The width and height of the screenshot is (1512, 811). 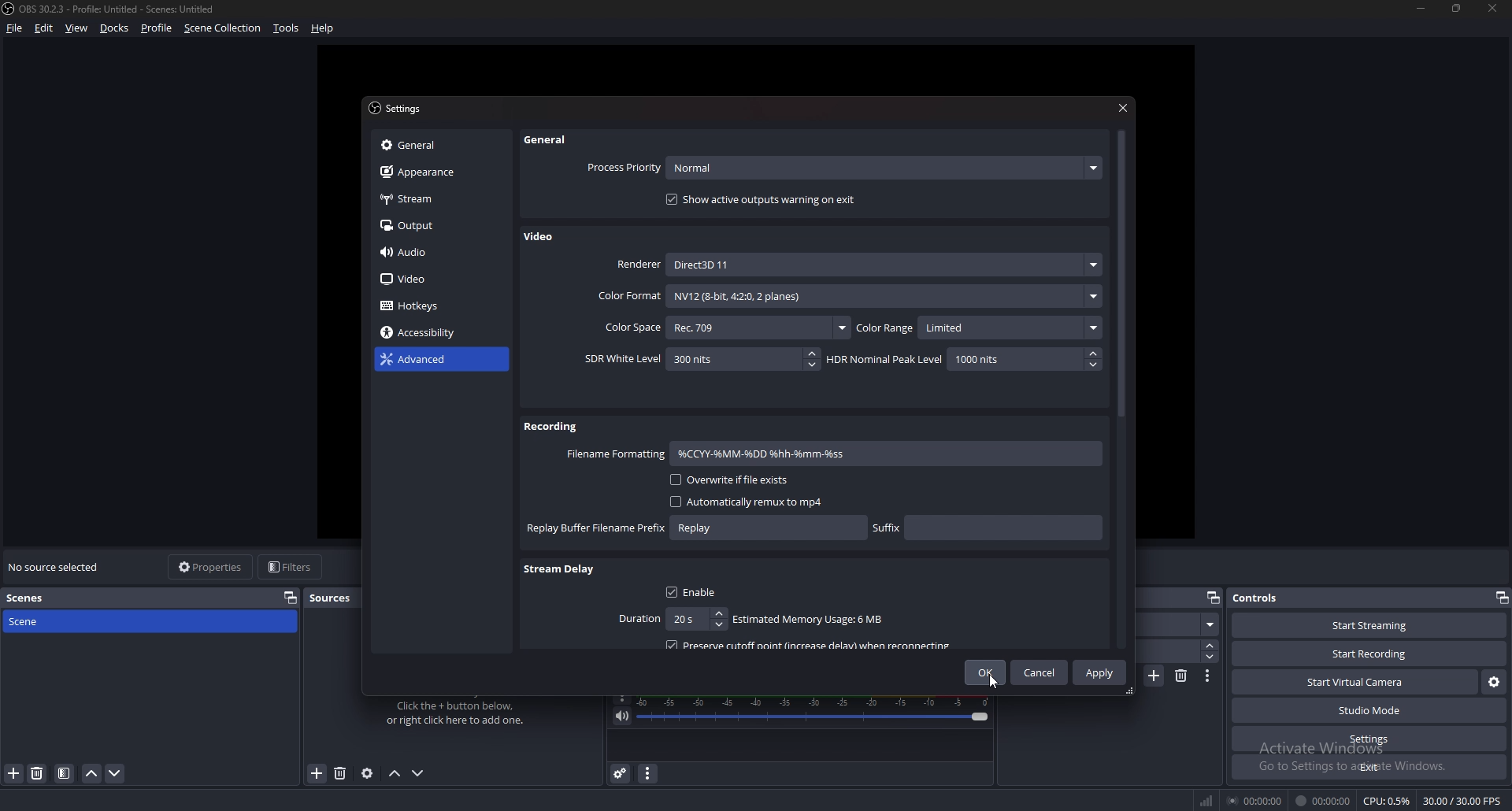 I want to click on color range, so click(x=980, y=328).